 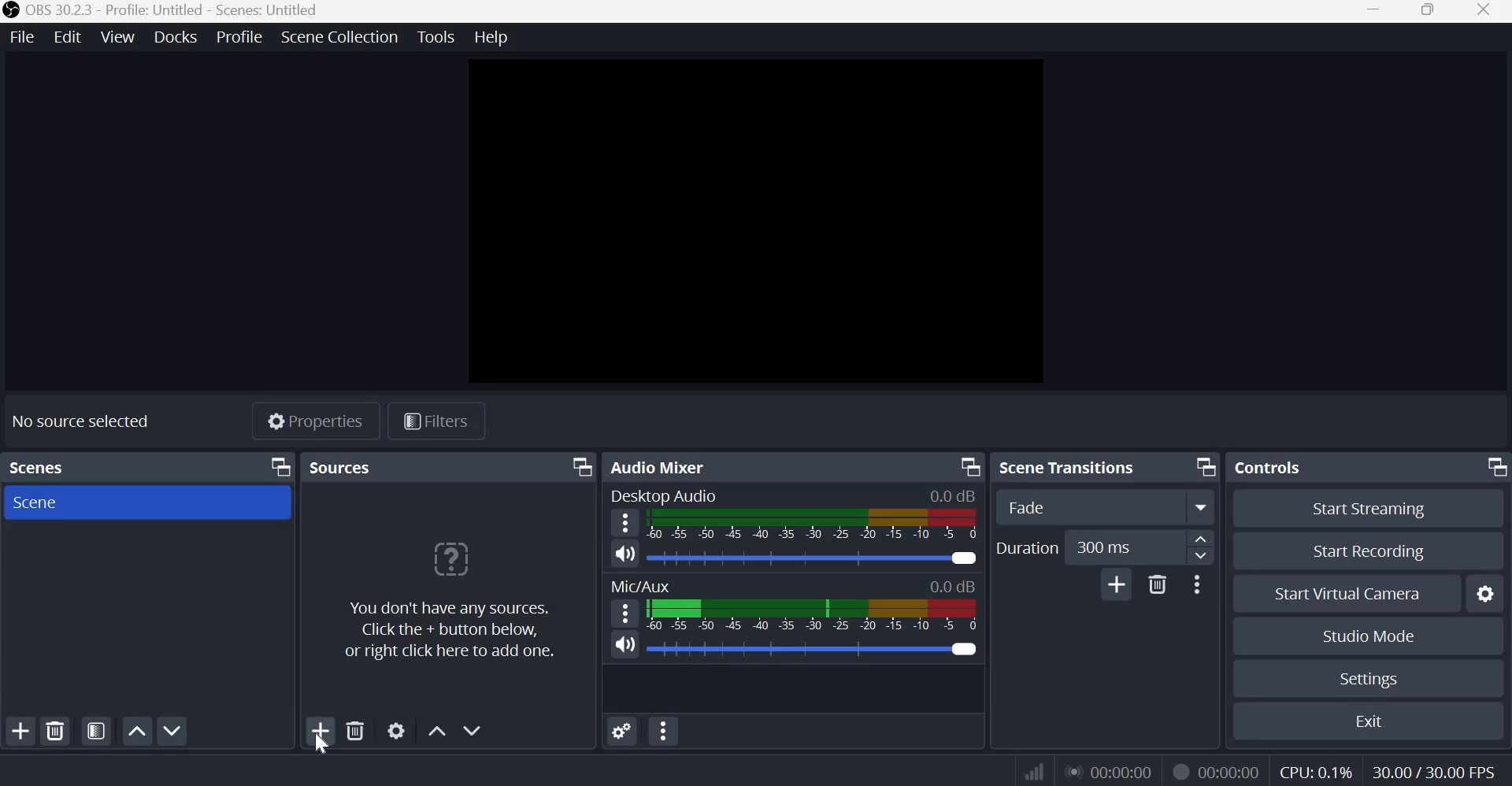 What do you see at coordinates (437, 732) in the screenshot?
I see `Move source(s) up` at bounding box center [437, 732].